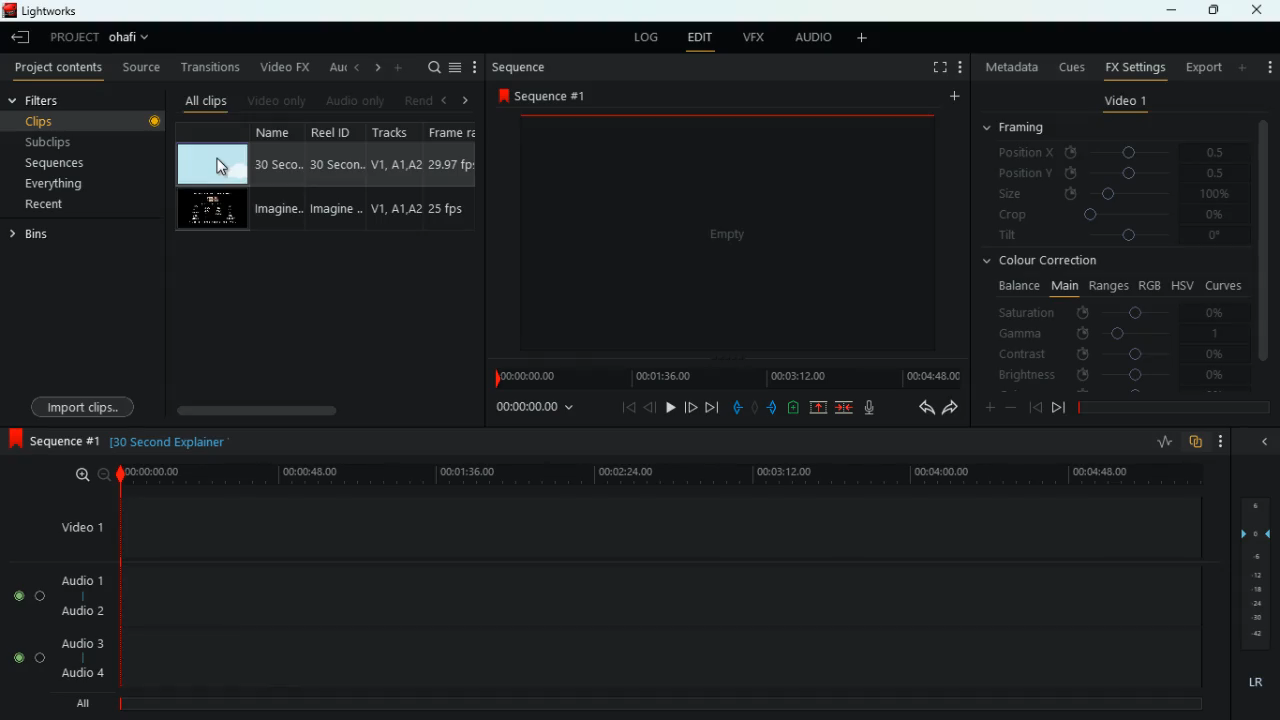  What do you see at coordinates (953, 95) in the screenshot?
I see `add` at bounding box center [953, 95].